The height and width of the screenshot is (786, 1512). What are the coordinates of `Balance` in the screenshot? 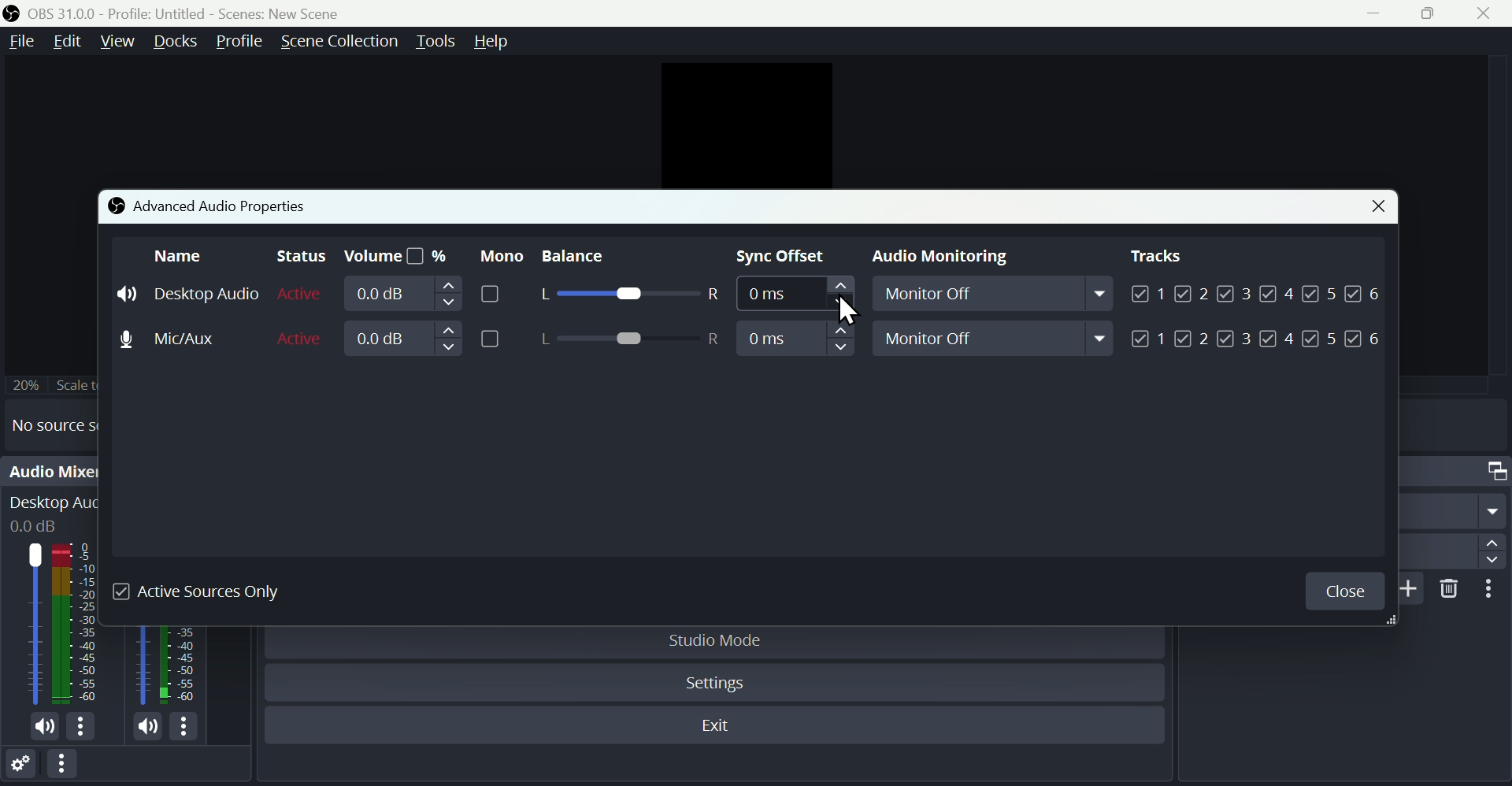 It's located at (591, 257).